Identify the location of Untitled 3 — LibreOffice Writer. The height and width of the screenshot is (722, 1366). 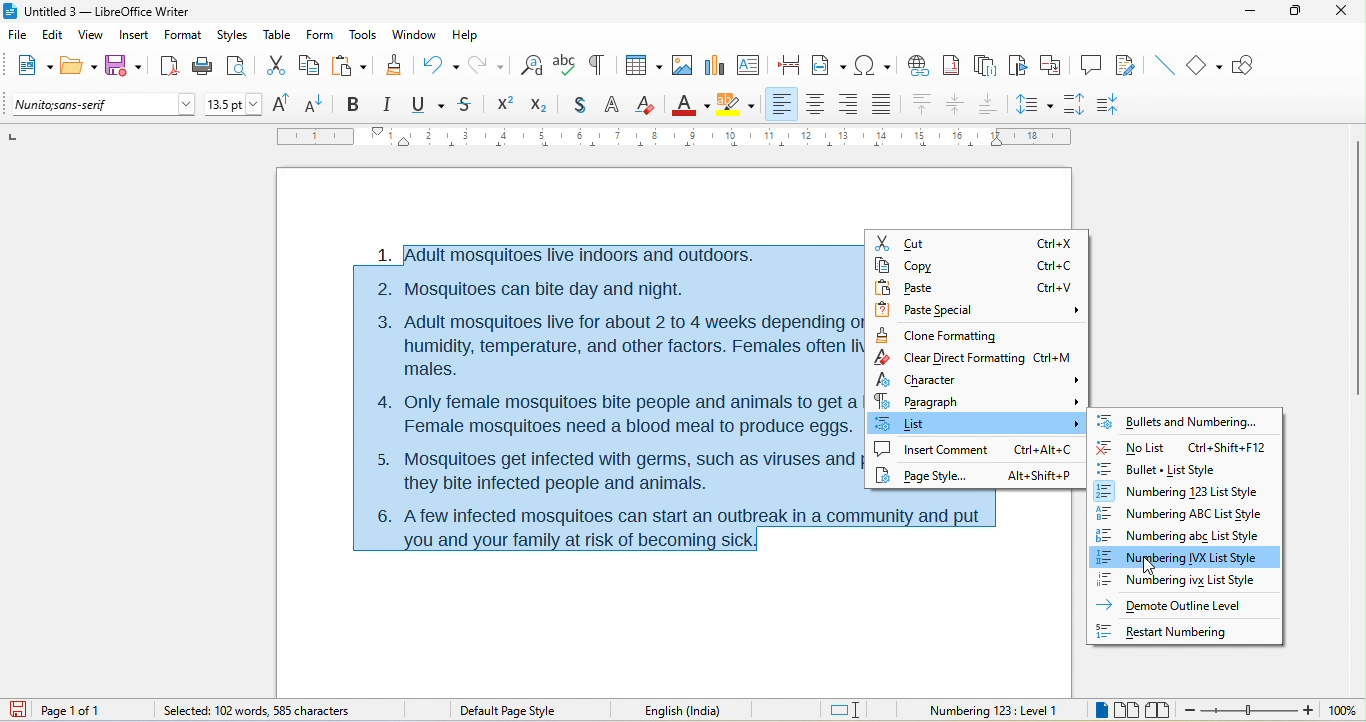
(105, 11).